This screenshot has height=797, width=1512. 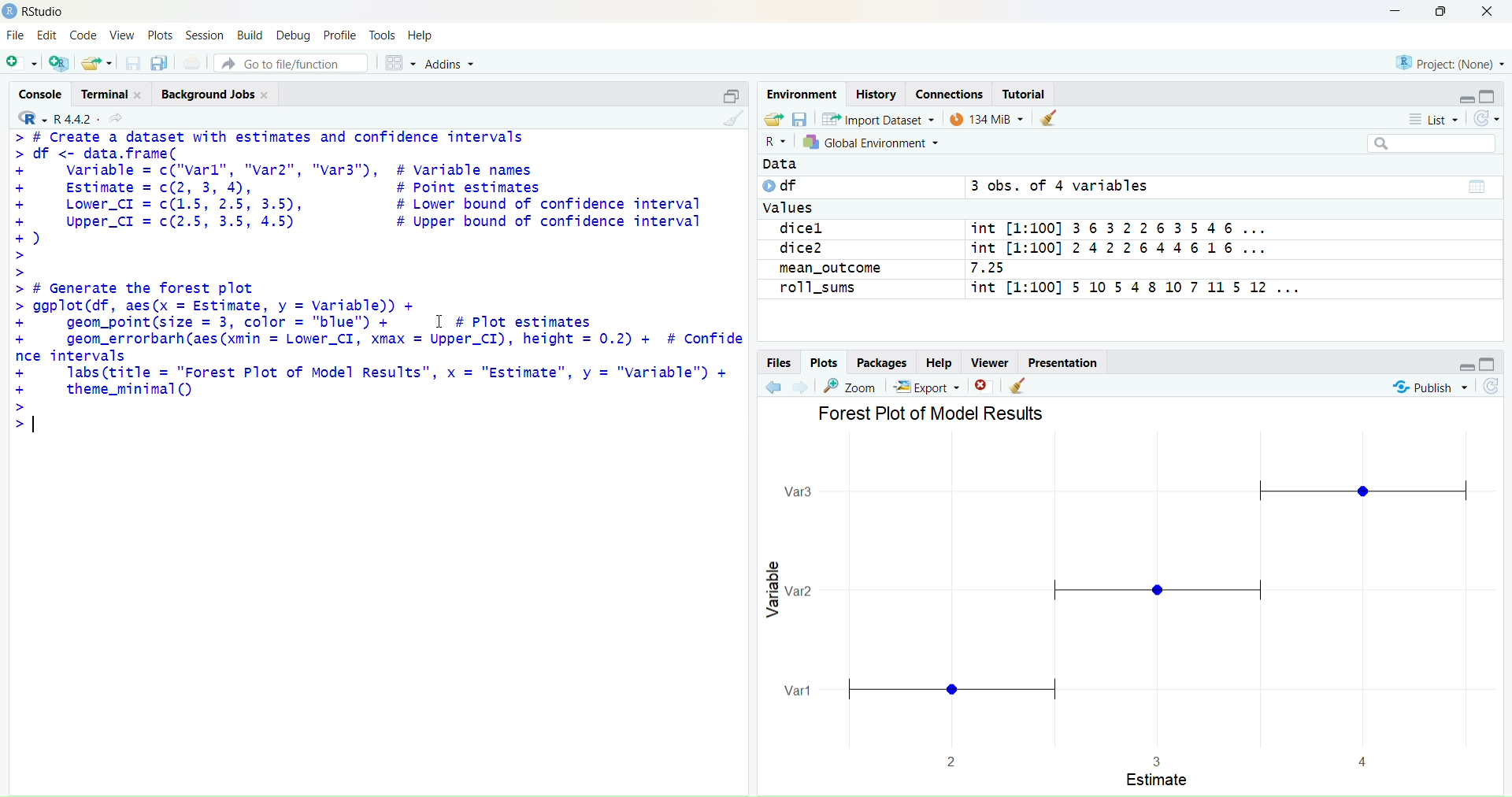 I want to click on Create a project, so click(x=776, y=120).